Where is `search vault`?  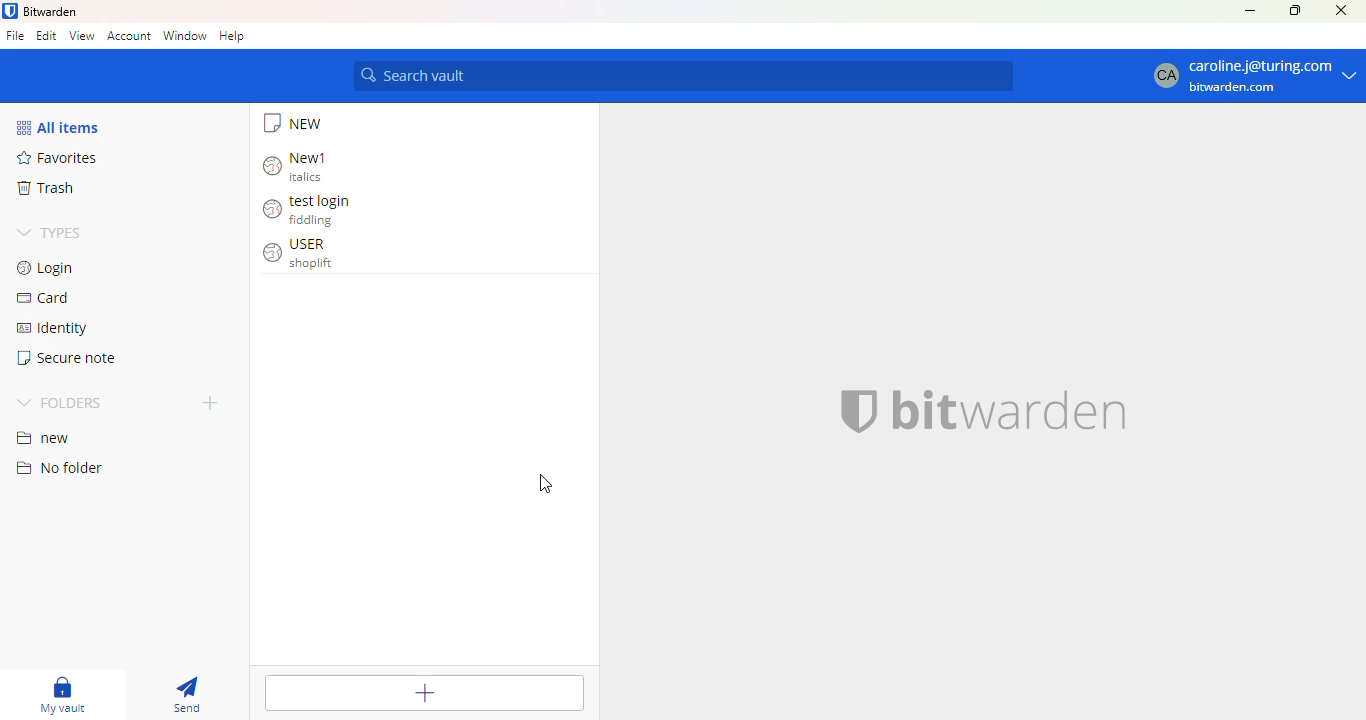 search vault is located at coordinates (684, 76).